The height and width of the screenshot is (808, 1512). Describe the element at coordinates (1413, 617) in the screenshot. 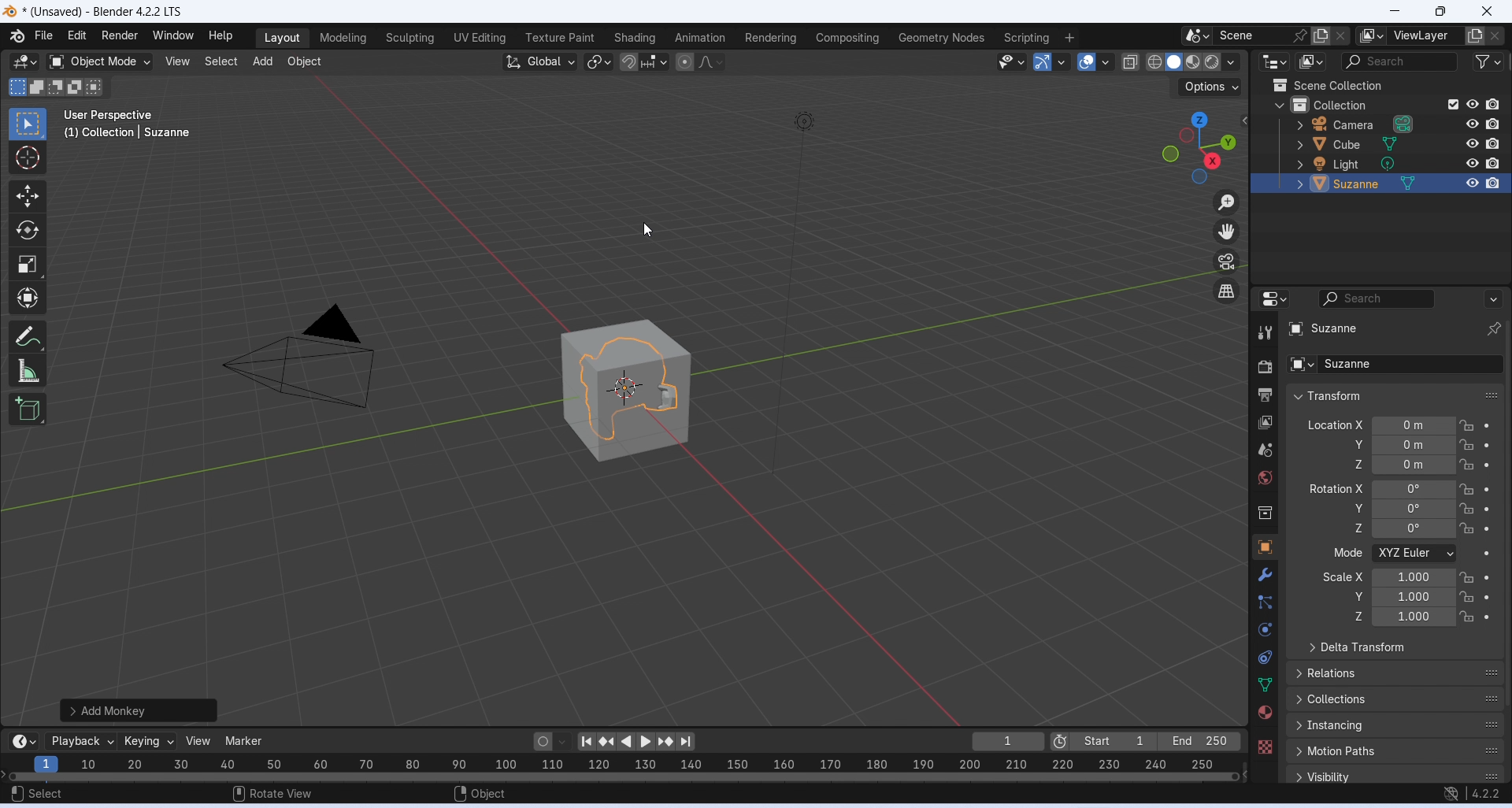

I see `scale` at that location.